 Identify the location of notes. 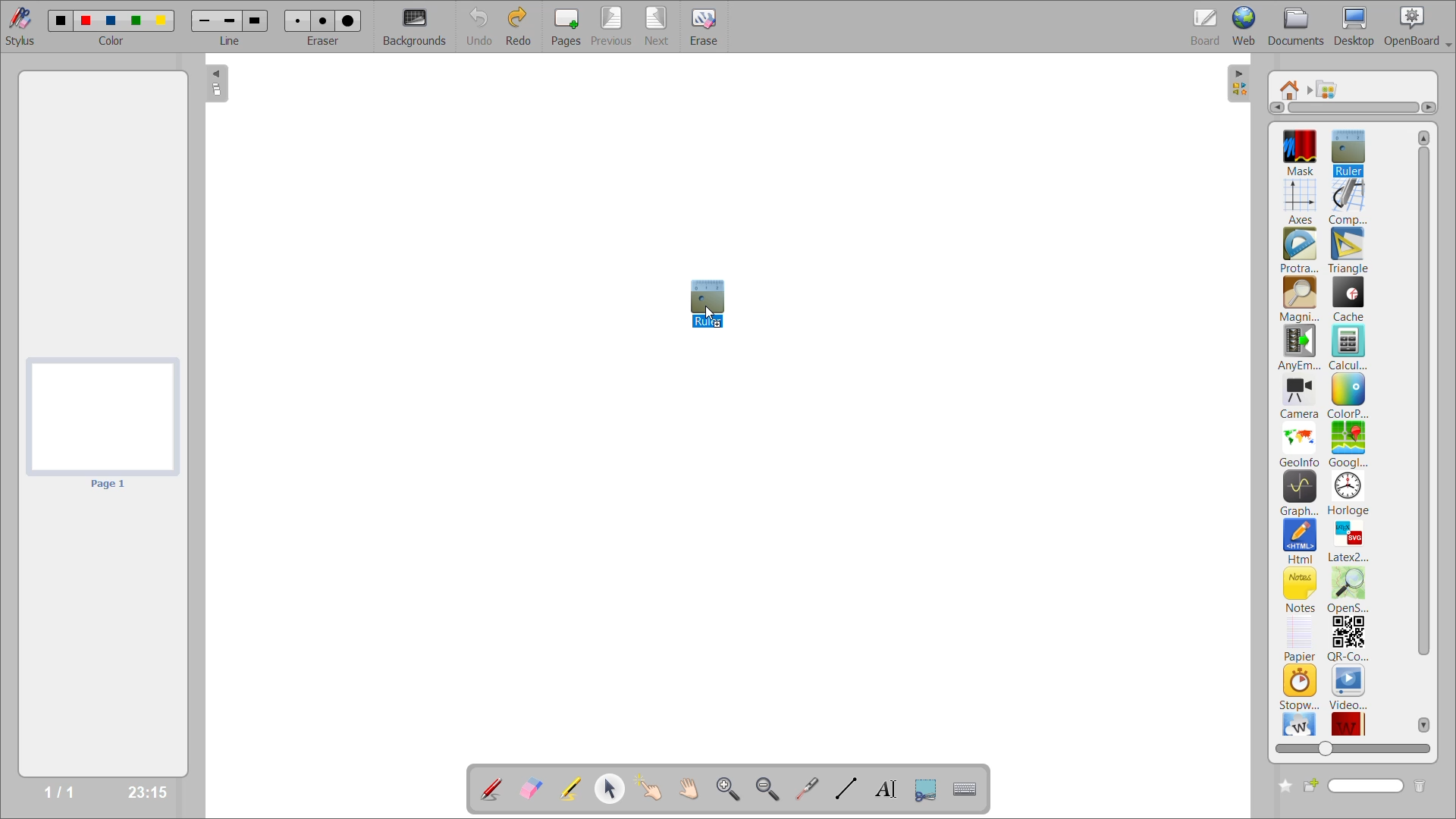
(1301, 589).